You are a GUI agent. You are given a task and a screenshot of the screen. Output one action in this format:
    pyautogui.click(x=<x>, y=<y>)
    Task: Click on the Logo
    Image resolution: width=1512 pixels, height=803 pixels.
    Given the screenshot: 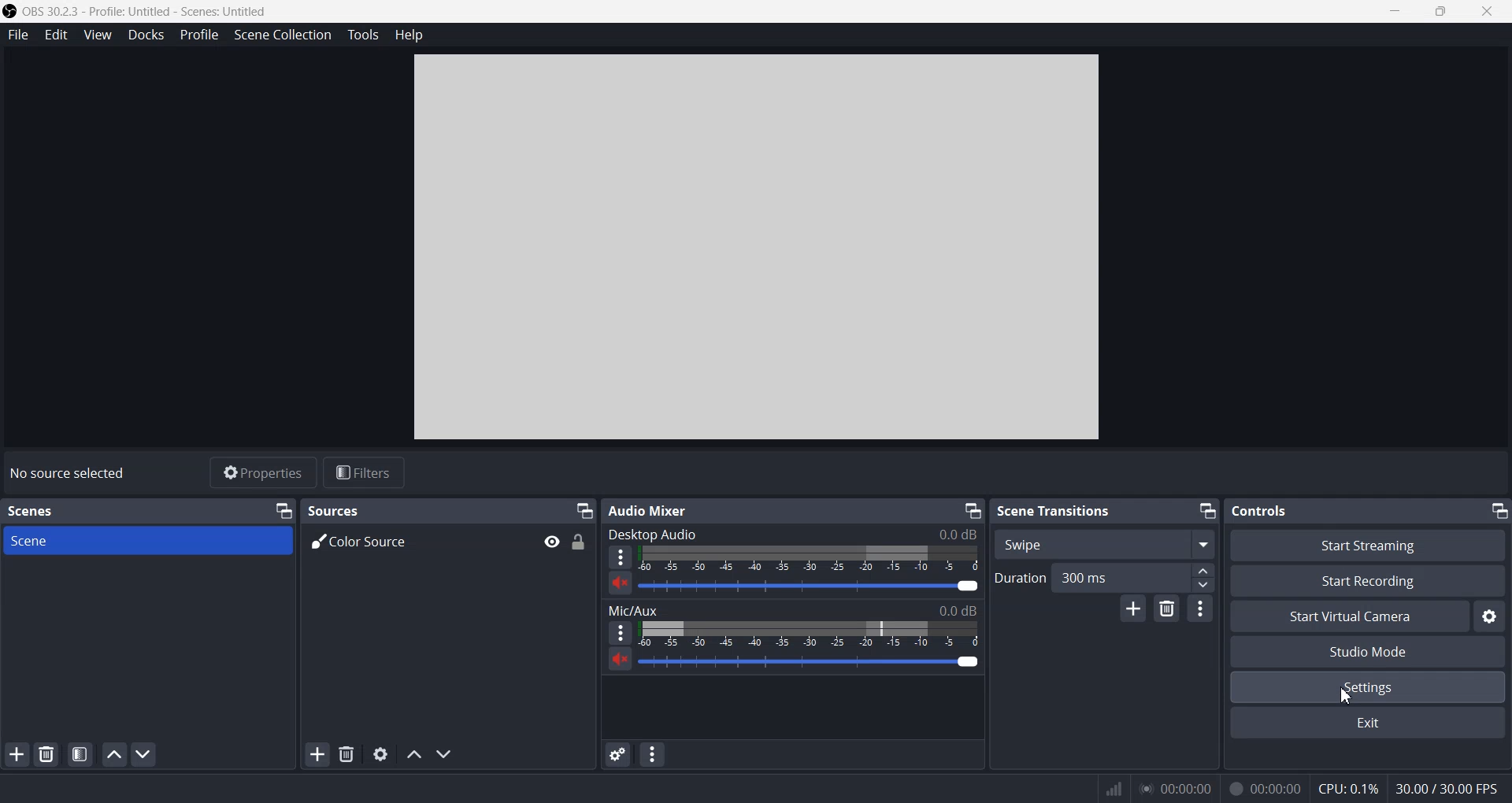 What is the action you would take?
    pyautogui.click(x=134, y=11)
    